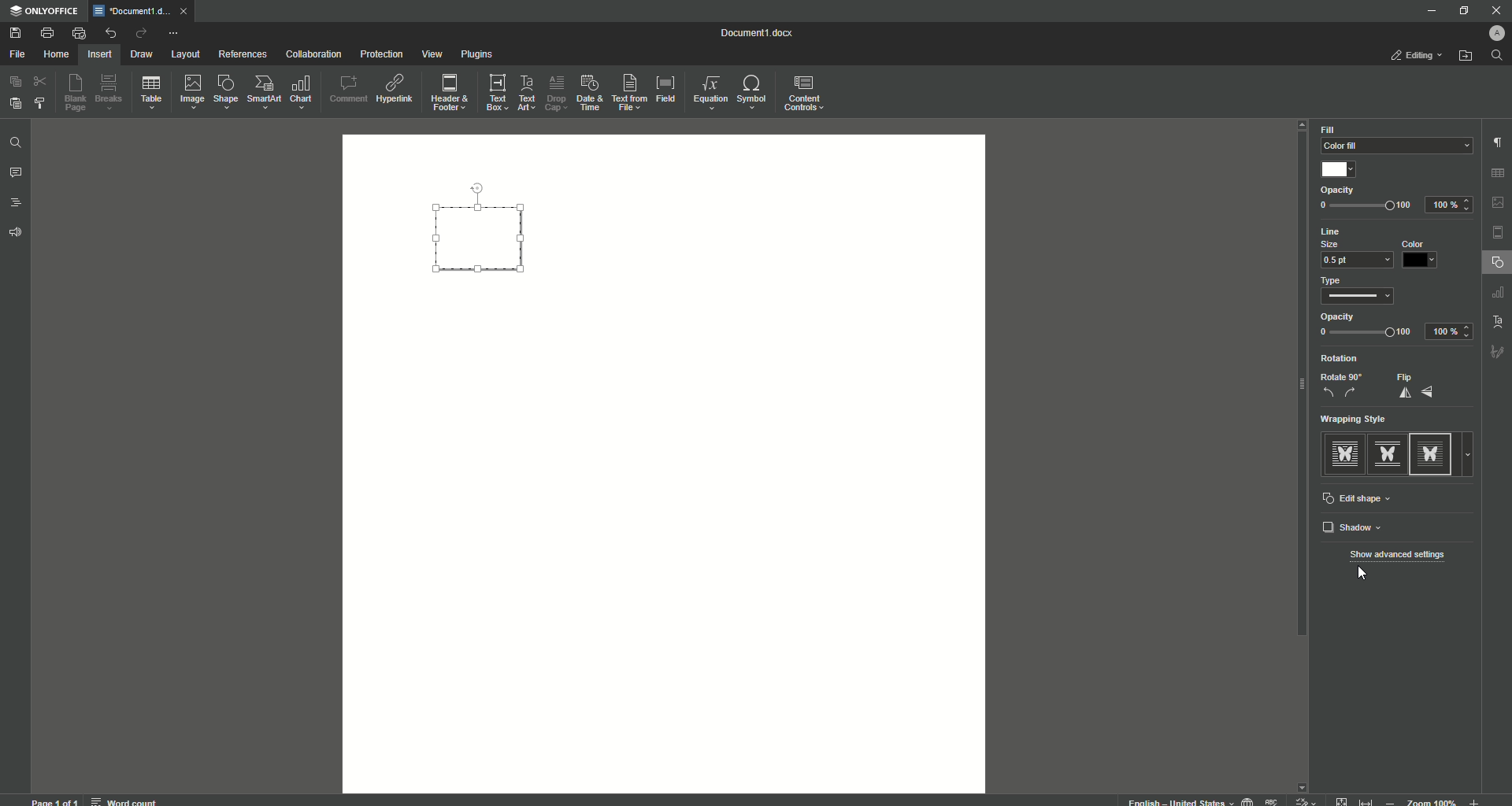  Describe the element at coordinates (1434, 453) in the screenshot. I see `style 3` at that location.